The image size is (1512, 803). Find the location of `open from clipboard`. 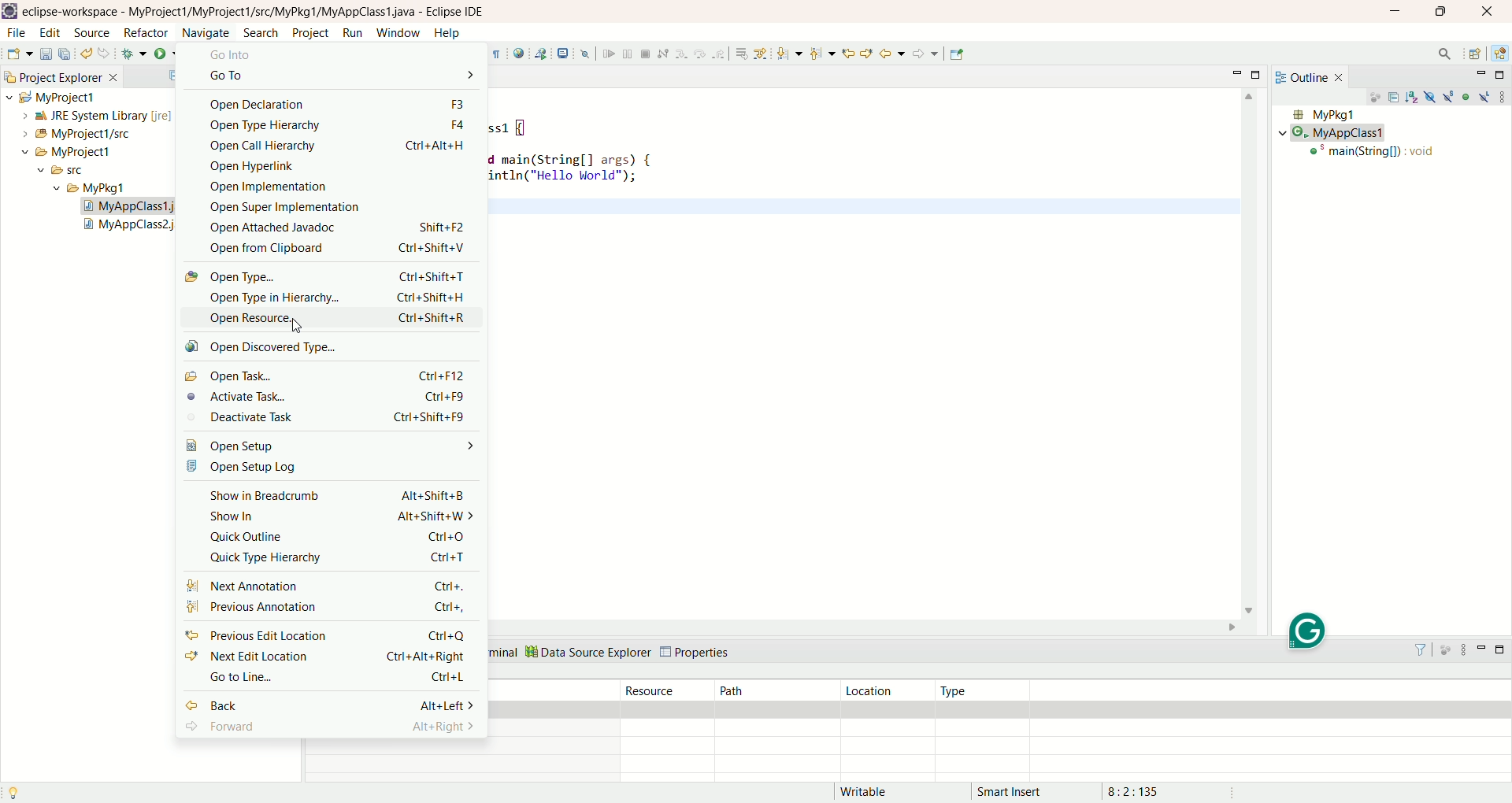

open from clipboard is located at coordinates (341, 250).